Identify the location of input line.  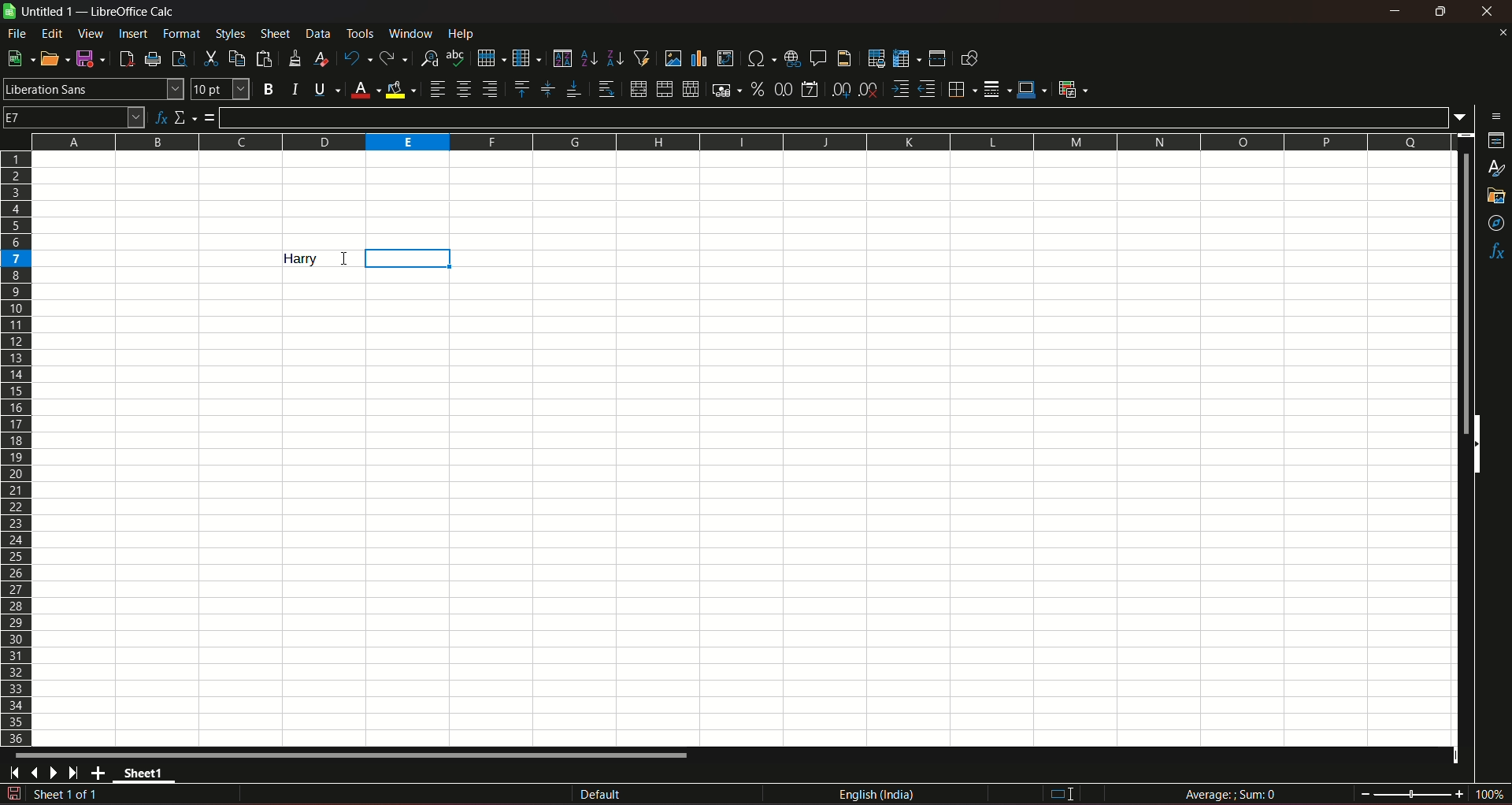
(836, 117).